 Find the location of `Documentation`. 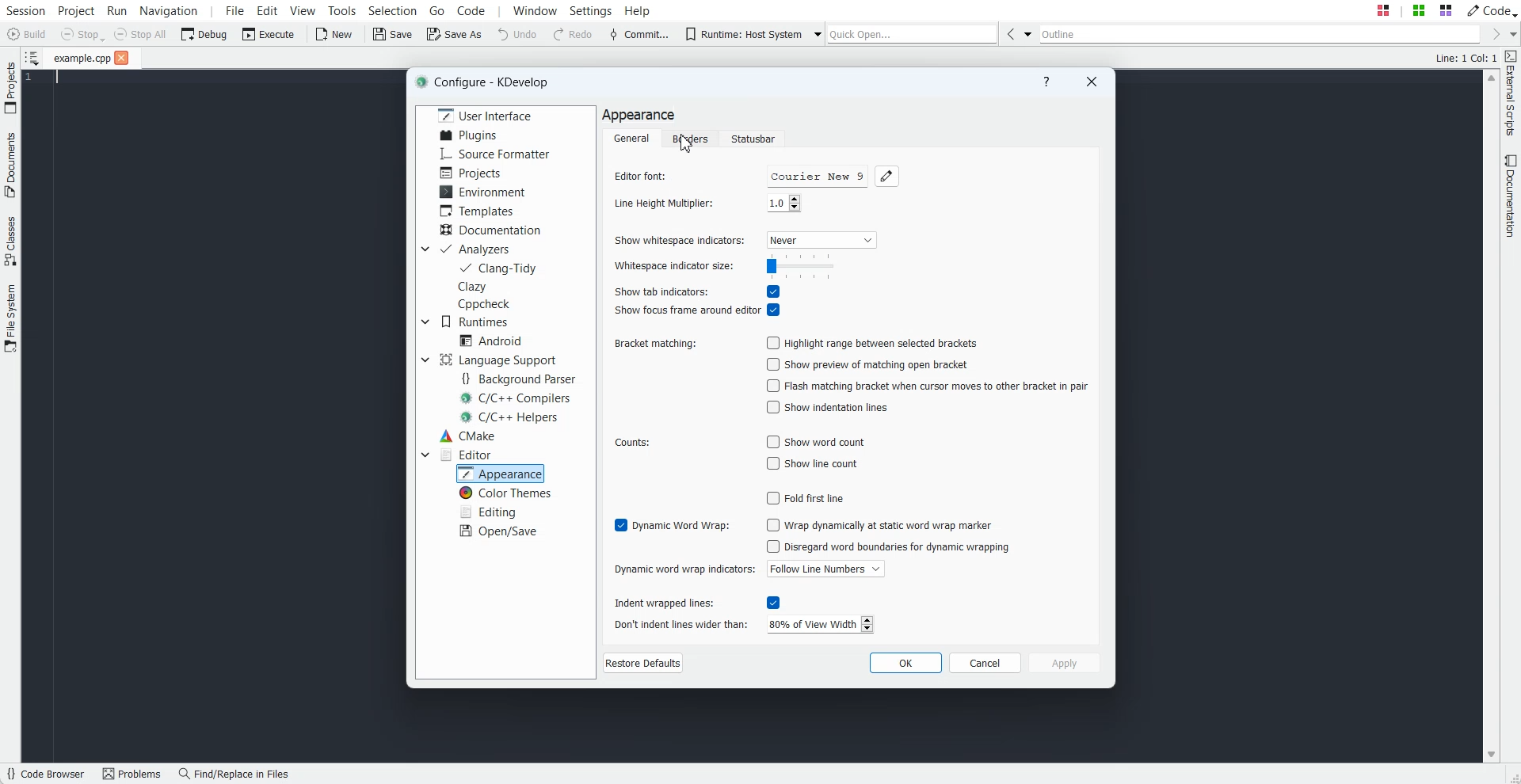

Documentation is located at coordinates (490, 229).